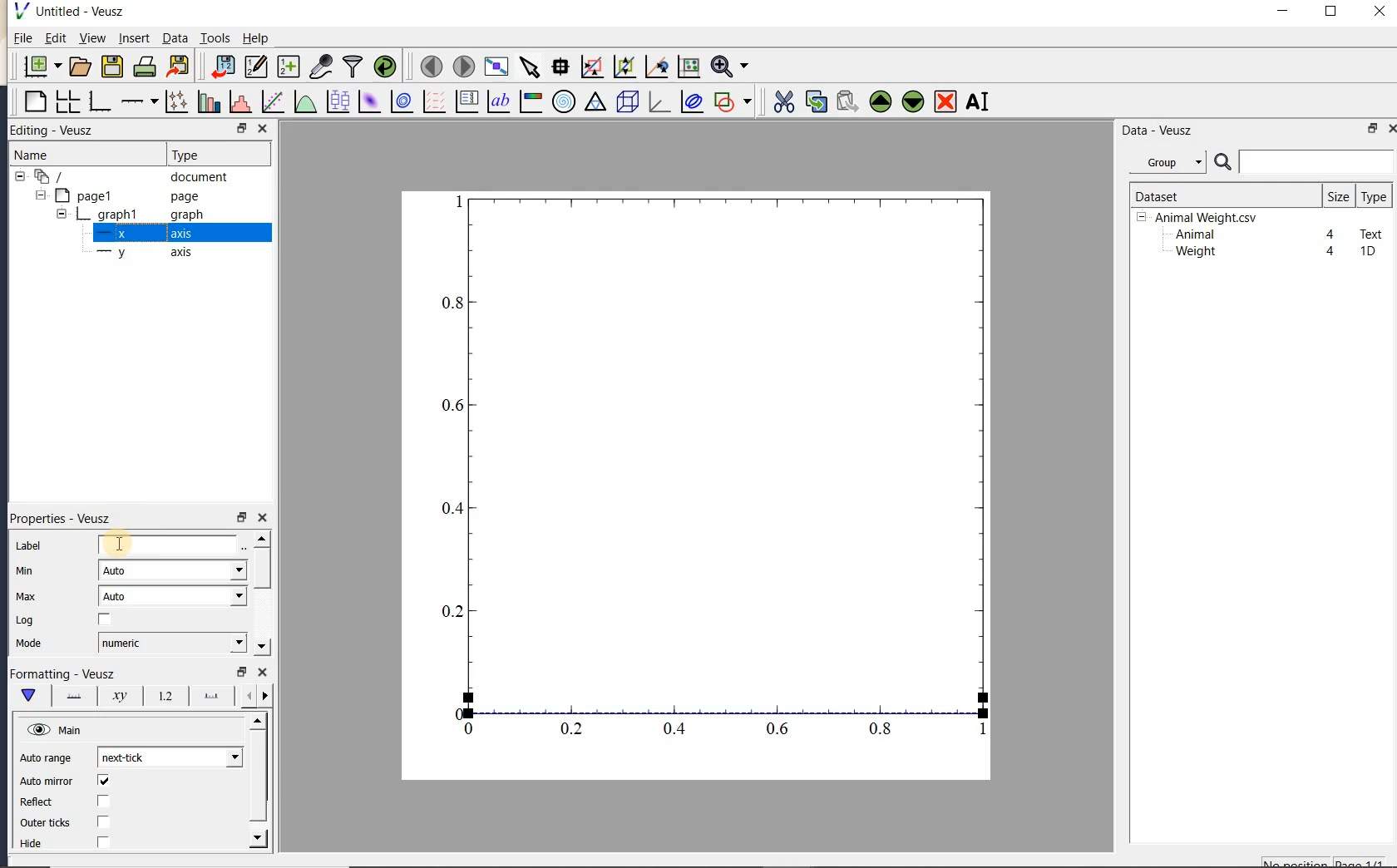  What do you see at coordinates (215, 153) in the screenshot?
I see `Type` at bounding box center [215, 153].